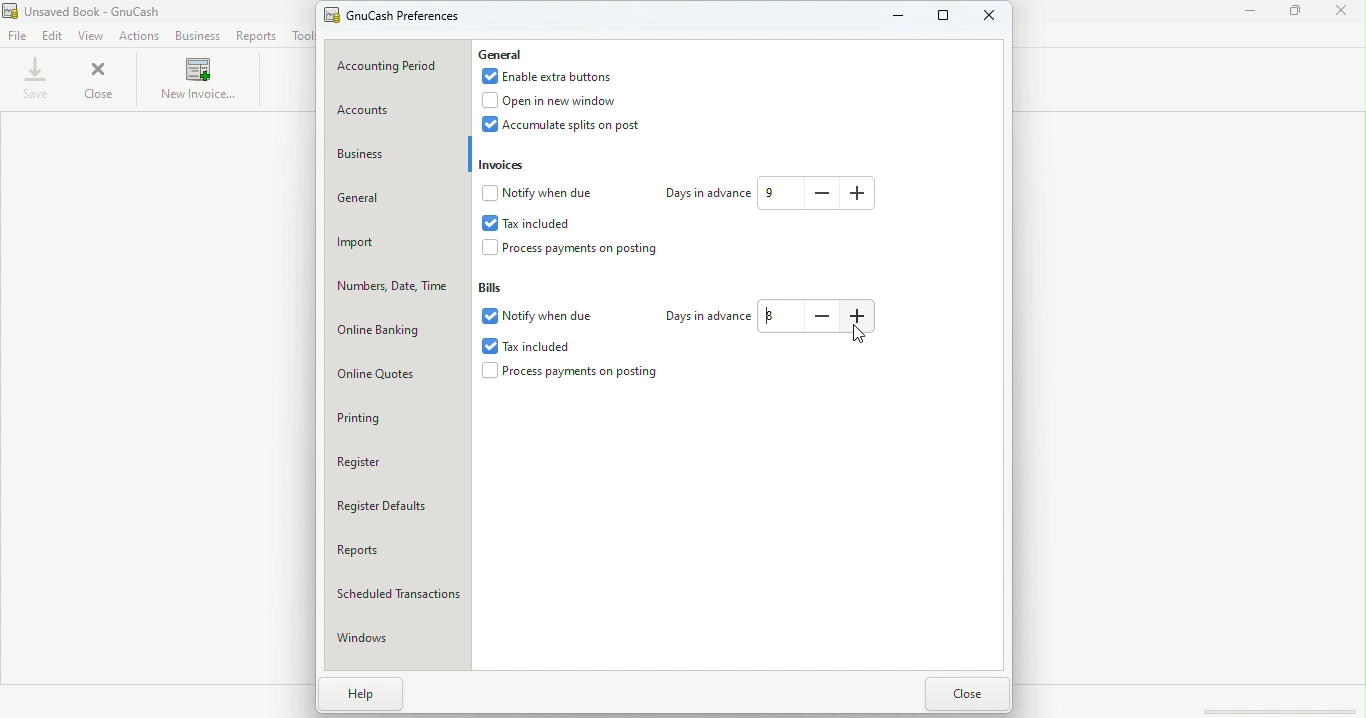 This screenshot has width=1366, height=718. Describe the element at coordinates (780, 317) in the screenshot. I see `Text box` at that location.